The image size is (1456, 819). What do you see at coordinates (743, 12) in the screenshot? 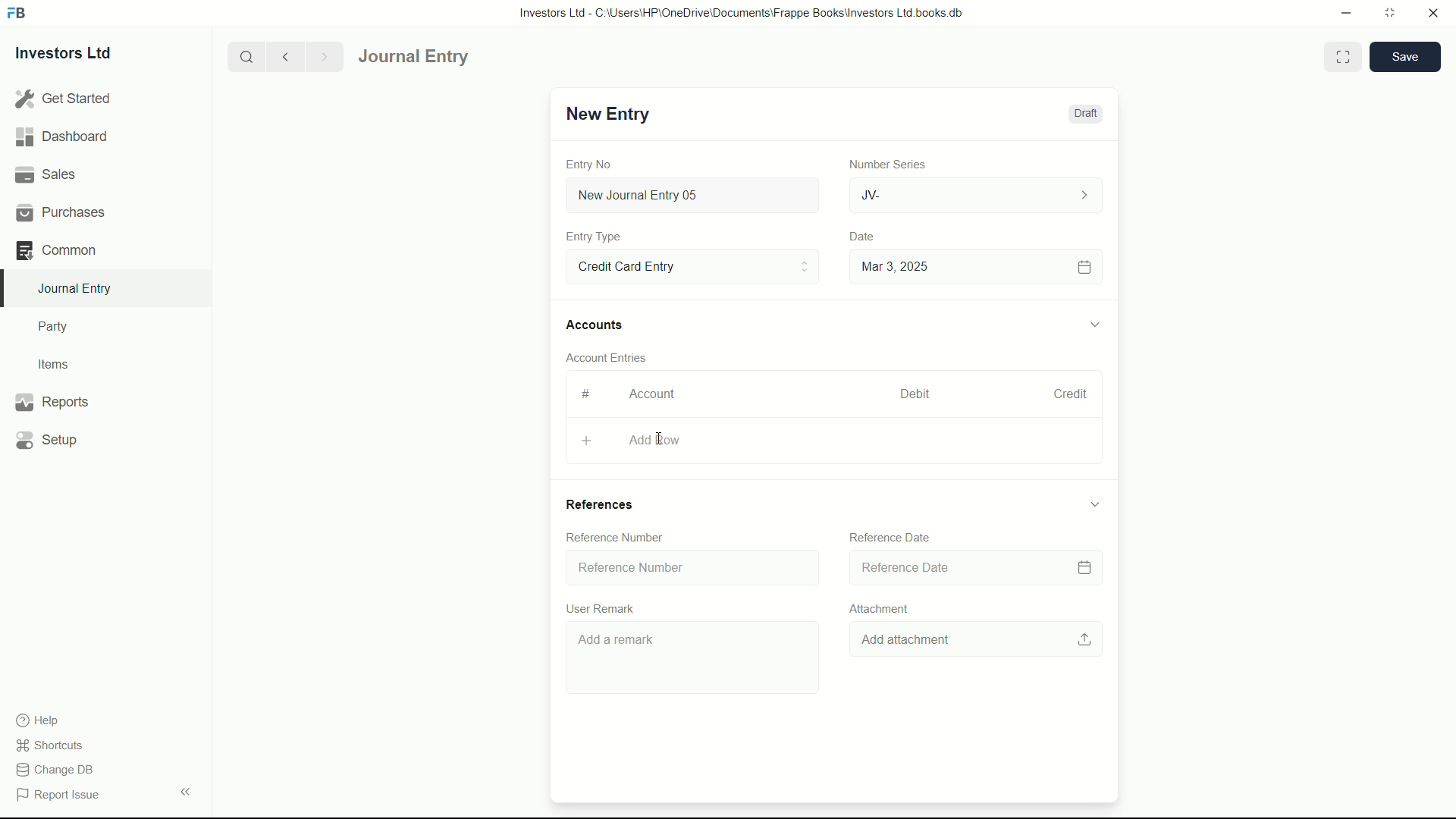
I see `Investors Ltd - C:\Users\HP\OneDrive\Documents\Frappe Books\Investors Ltd books.db` at bounding box center [743, 12].